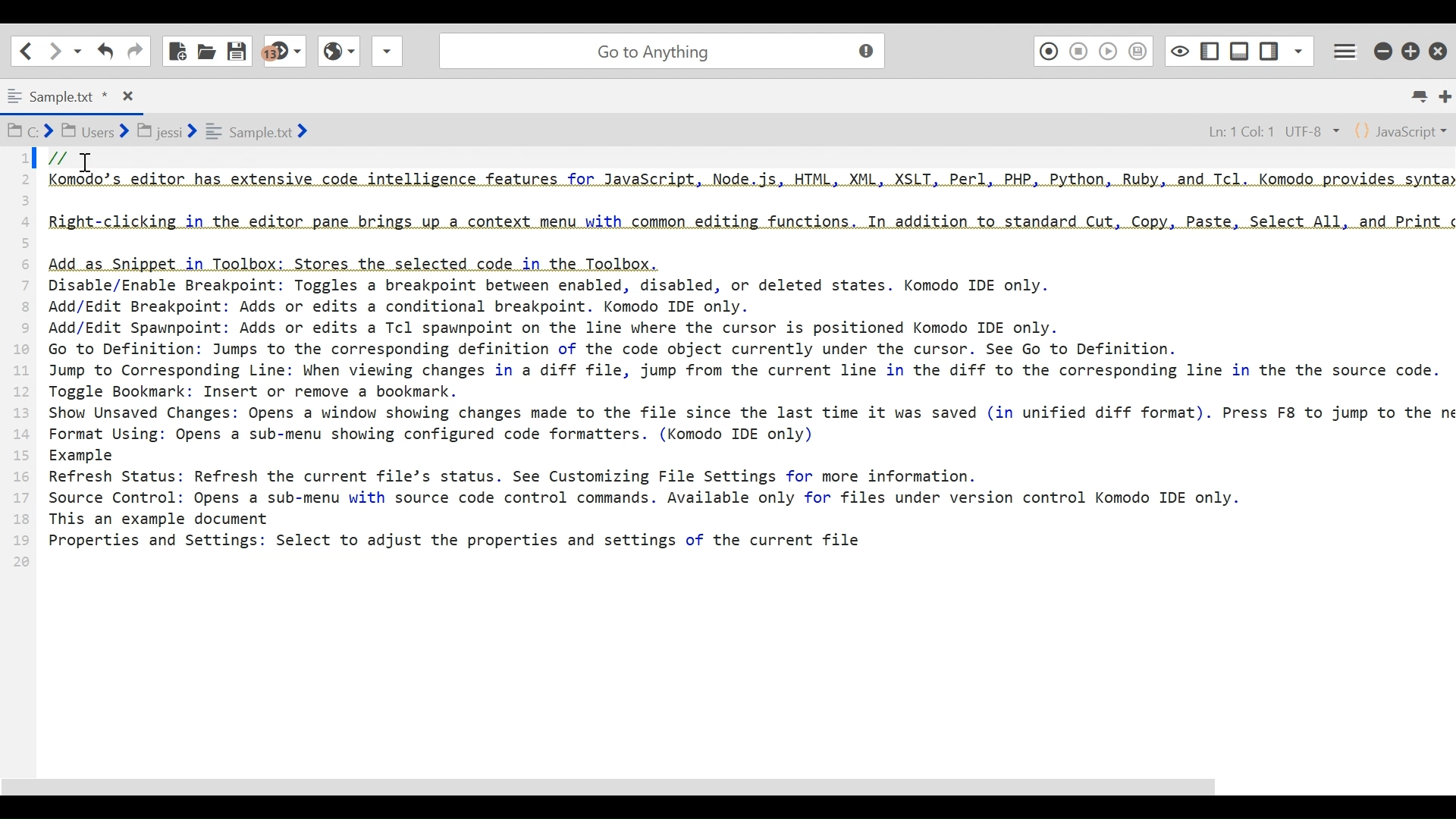 This screenshot has height=819, width=1456. I want to click on dropdown, so click(387, 55).